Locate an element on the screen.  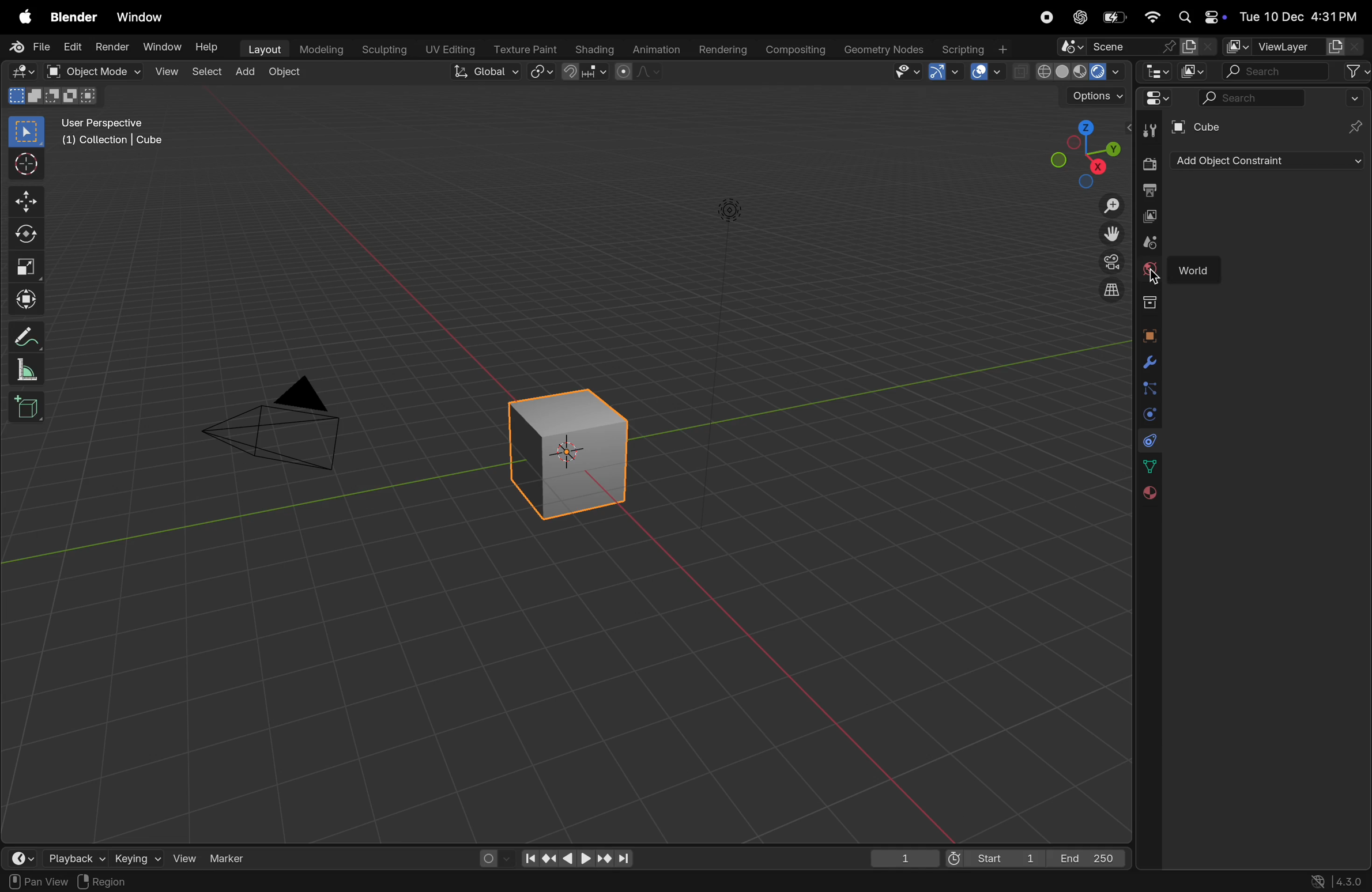
object  is located at coordinates (1148, 335).